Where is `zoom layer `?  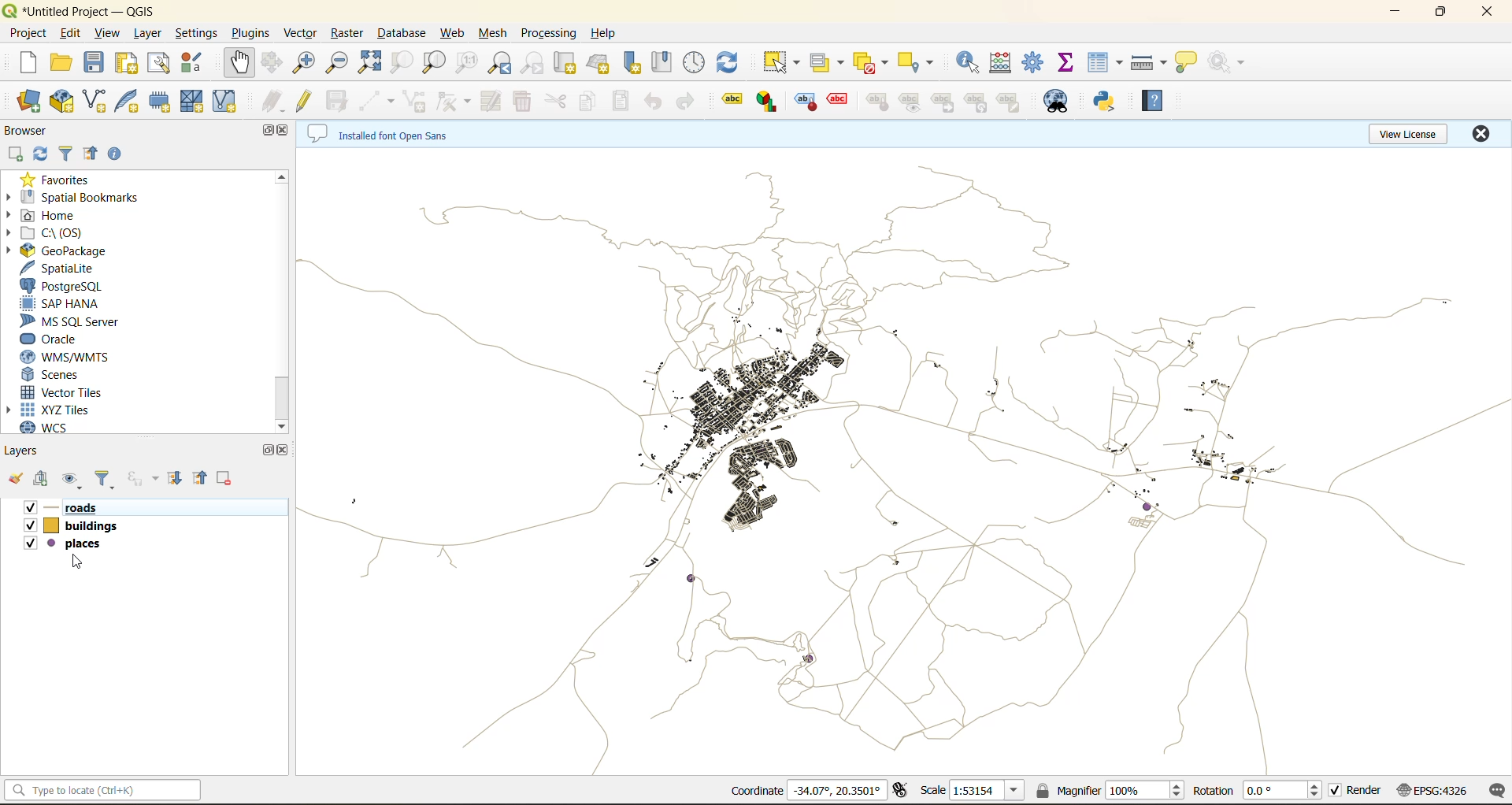
zoom layer  is located at coordinates (434, 63).